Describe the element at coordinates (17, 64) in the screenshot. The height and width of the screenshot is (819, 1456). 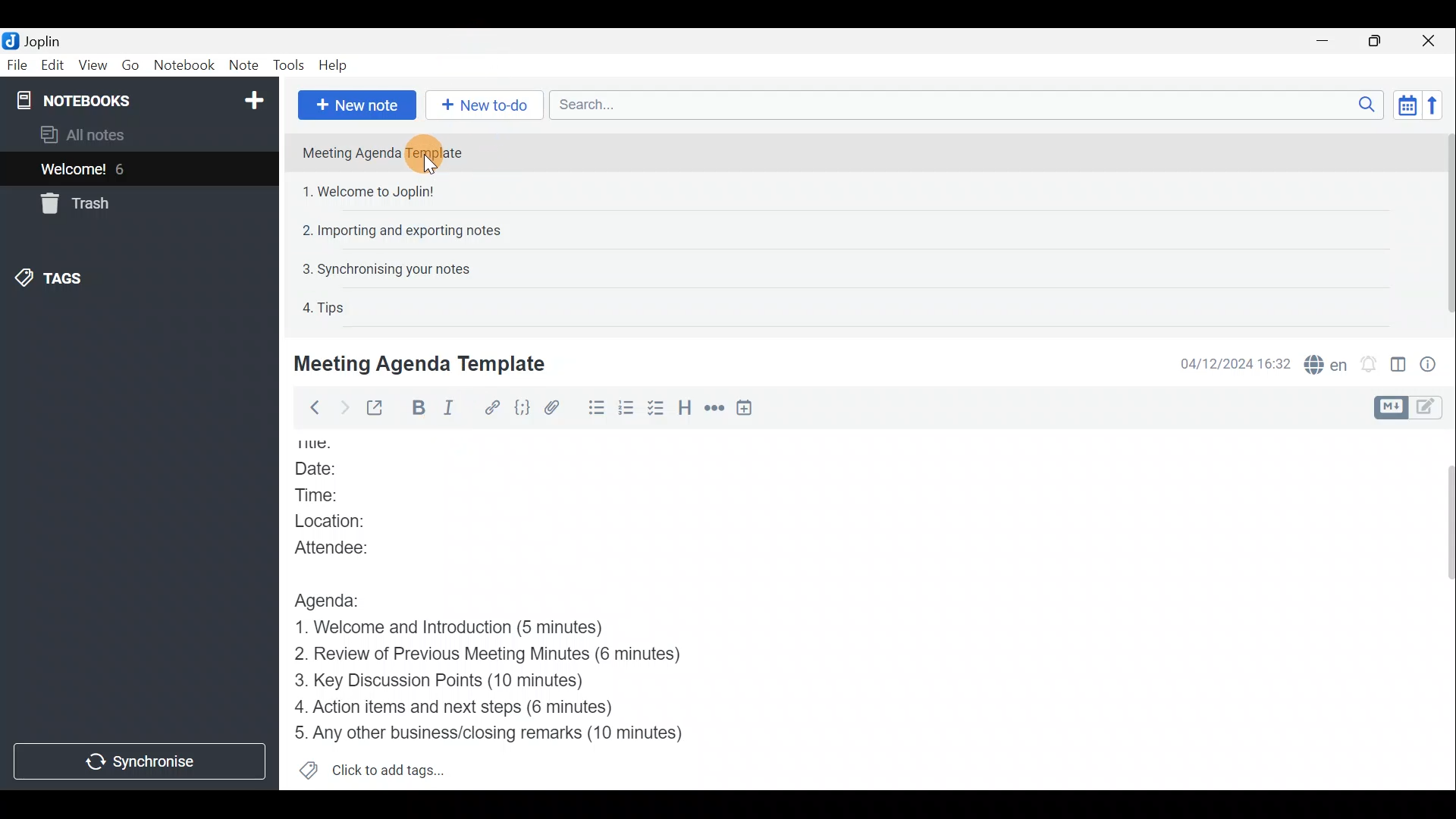
I see `File` at that location.